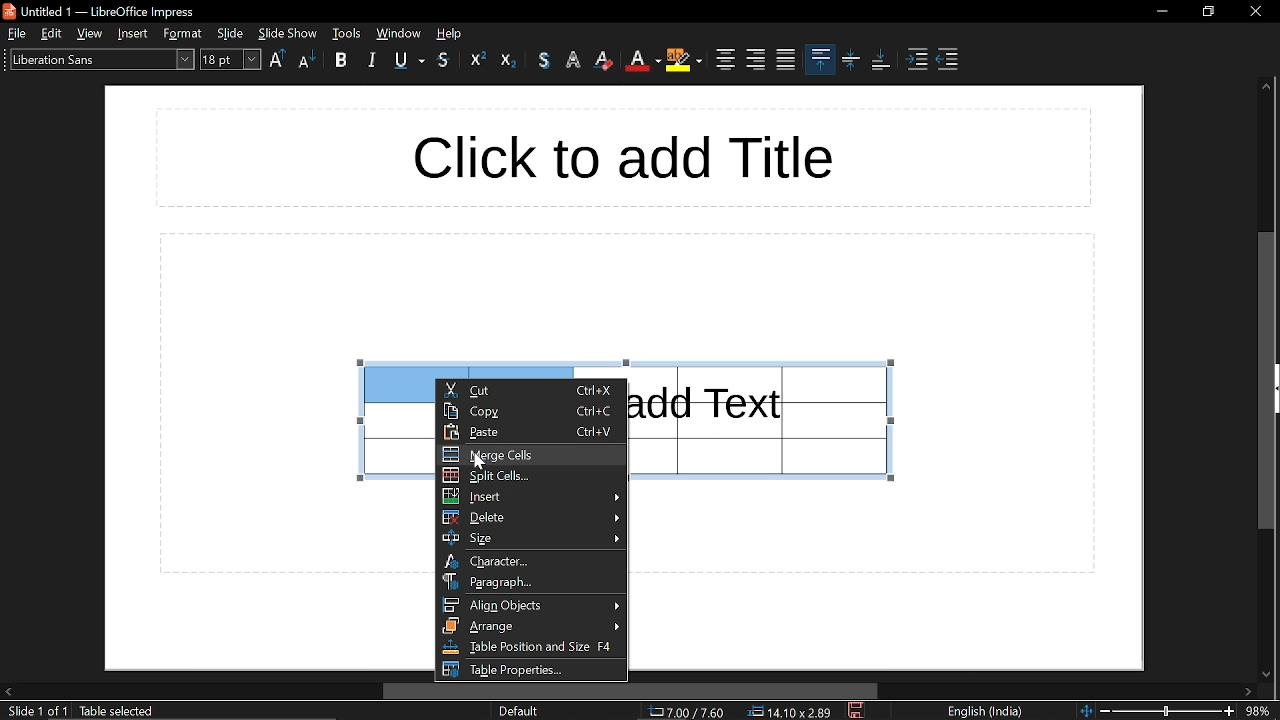  I want to click on srikethrough, so click(444, 60).